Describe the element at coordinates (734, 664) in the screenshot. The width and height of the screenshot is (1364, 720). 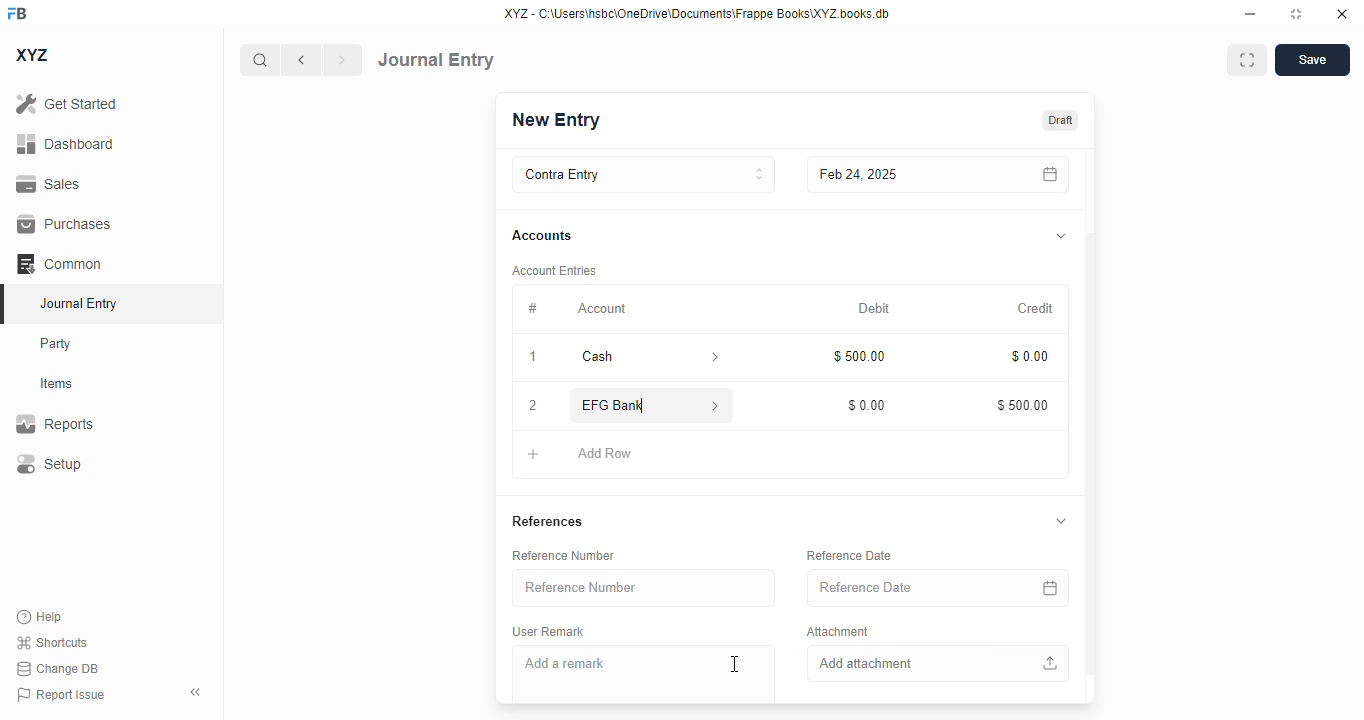
I see `cursor` at that location.